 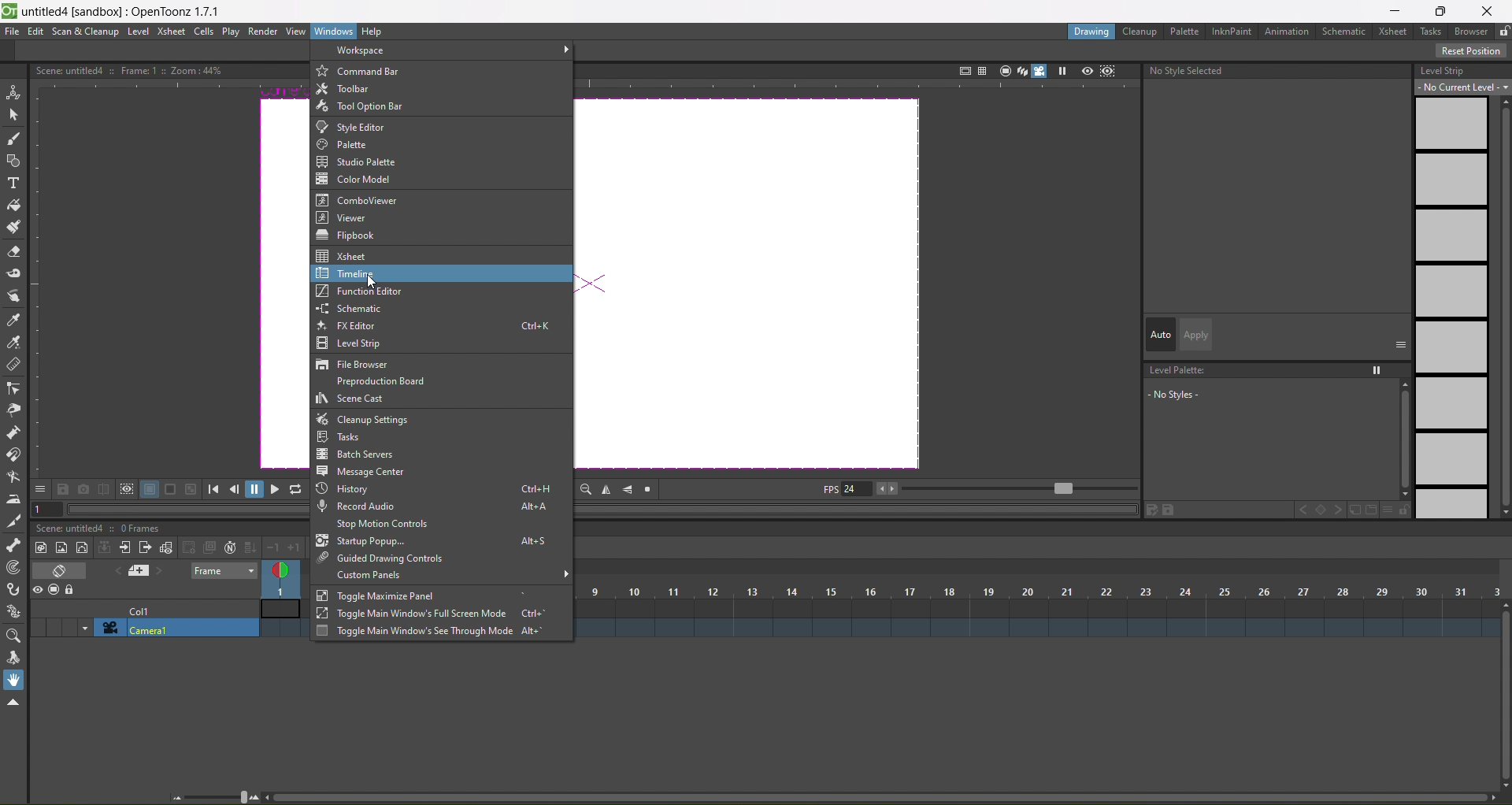 I want to click on apply, so click(x=1195, y=335).